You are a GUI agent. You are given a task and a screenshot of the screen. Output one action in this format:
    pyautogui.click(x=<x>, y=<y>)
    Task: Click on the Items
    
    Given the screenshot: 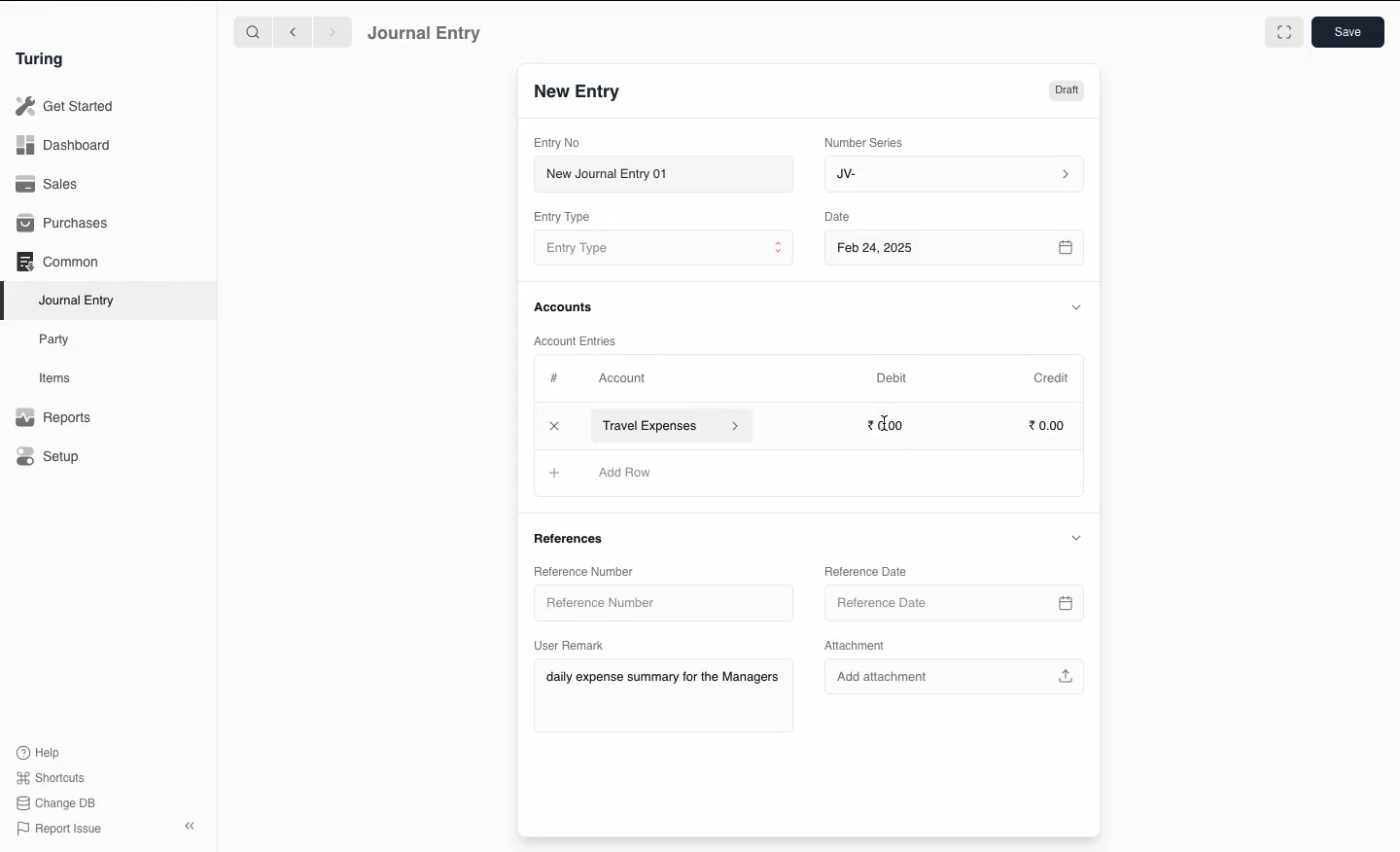 What is the action you would take?
    pyautogui.click(x=55, y=377)
    